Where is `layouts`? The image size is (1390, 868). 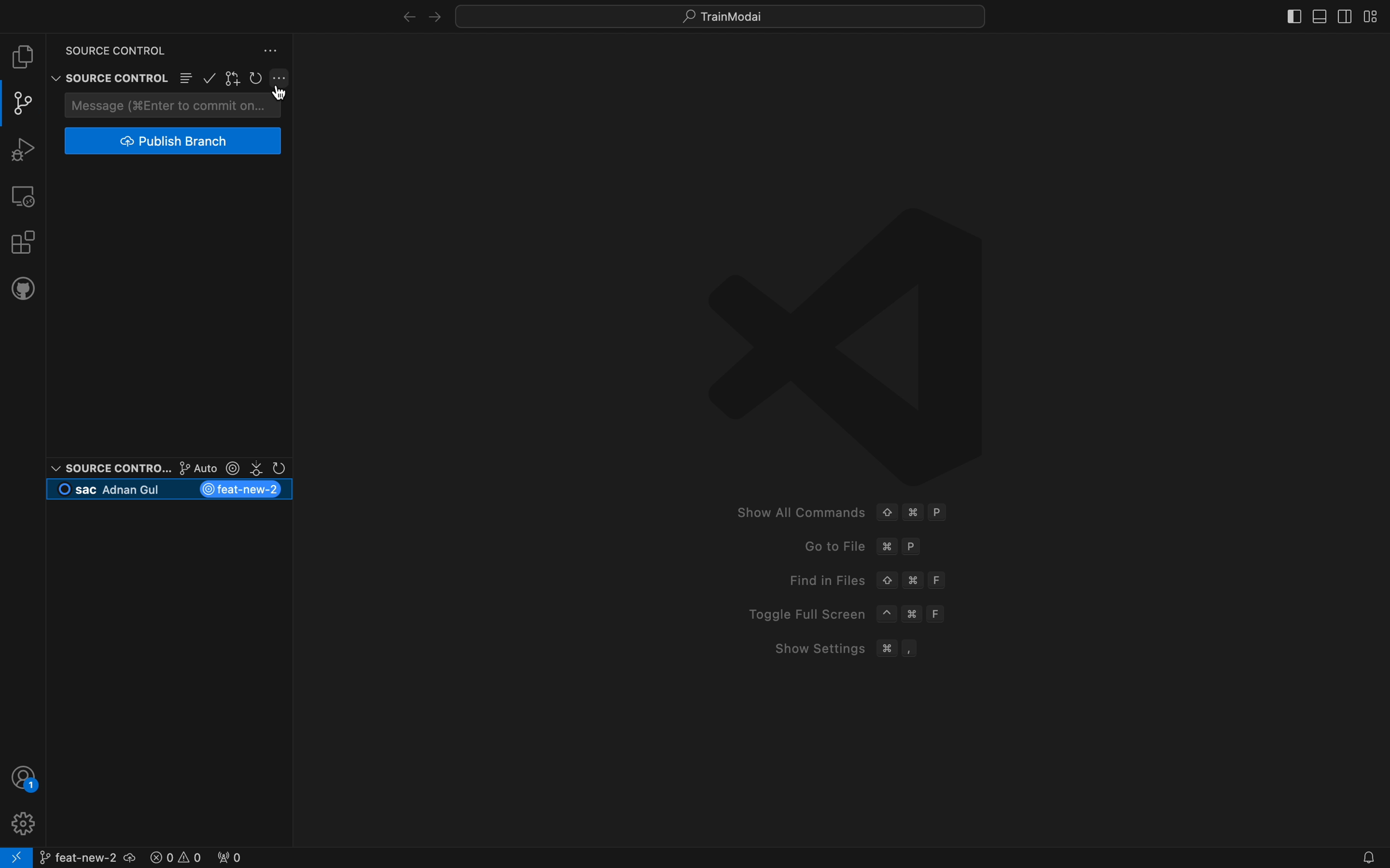
layouts is located at coordinates (1326, 15).